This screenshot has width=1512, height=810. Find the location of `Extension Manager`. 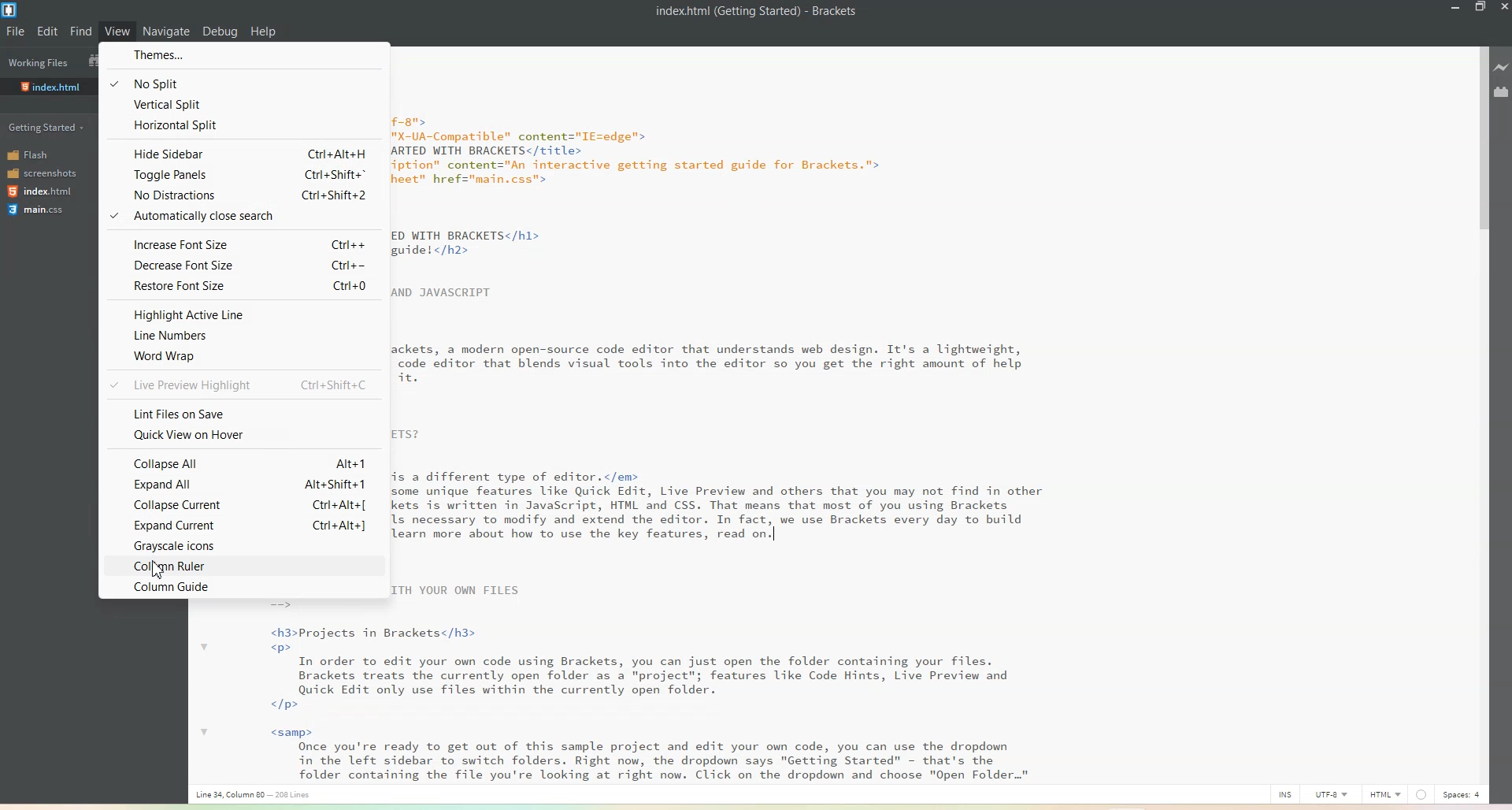

Extension Manager is located at coordinates (1502, 91).